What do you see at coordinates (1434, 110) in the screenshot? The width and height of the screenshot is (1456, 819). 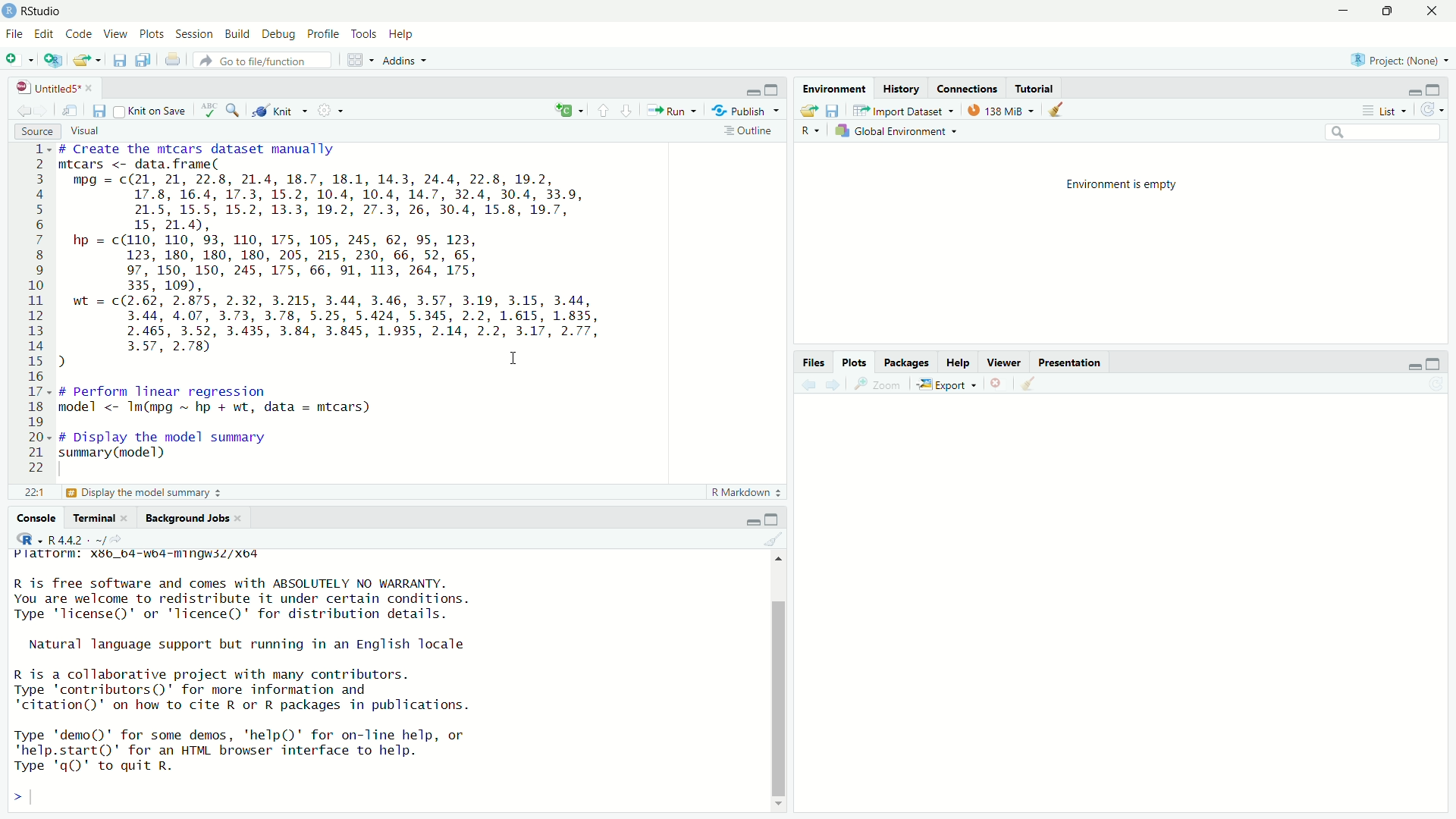 I see `refresh` at bounding box center [1434, 110].